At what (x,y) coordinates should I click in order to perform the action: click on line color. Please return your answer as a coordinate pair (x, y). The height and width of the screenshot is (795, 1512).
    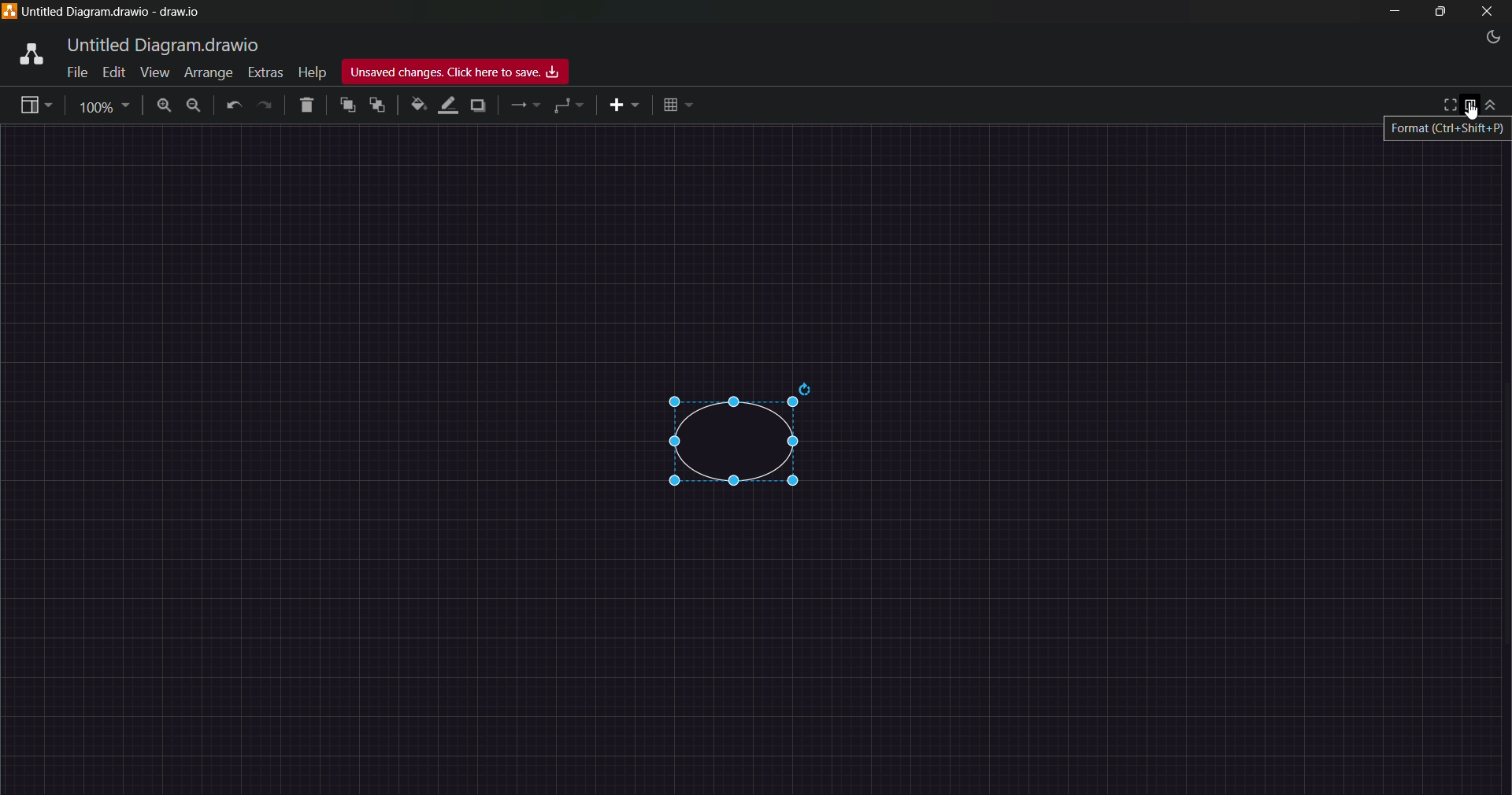
    Looking at the image, I should click on (445, 105).